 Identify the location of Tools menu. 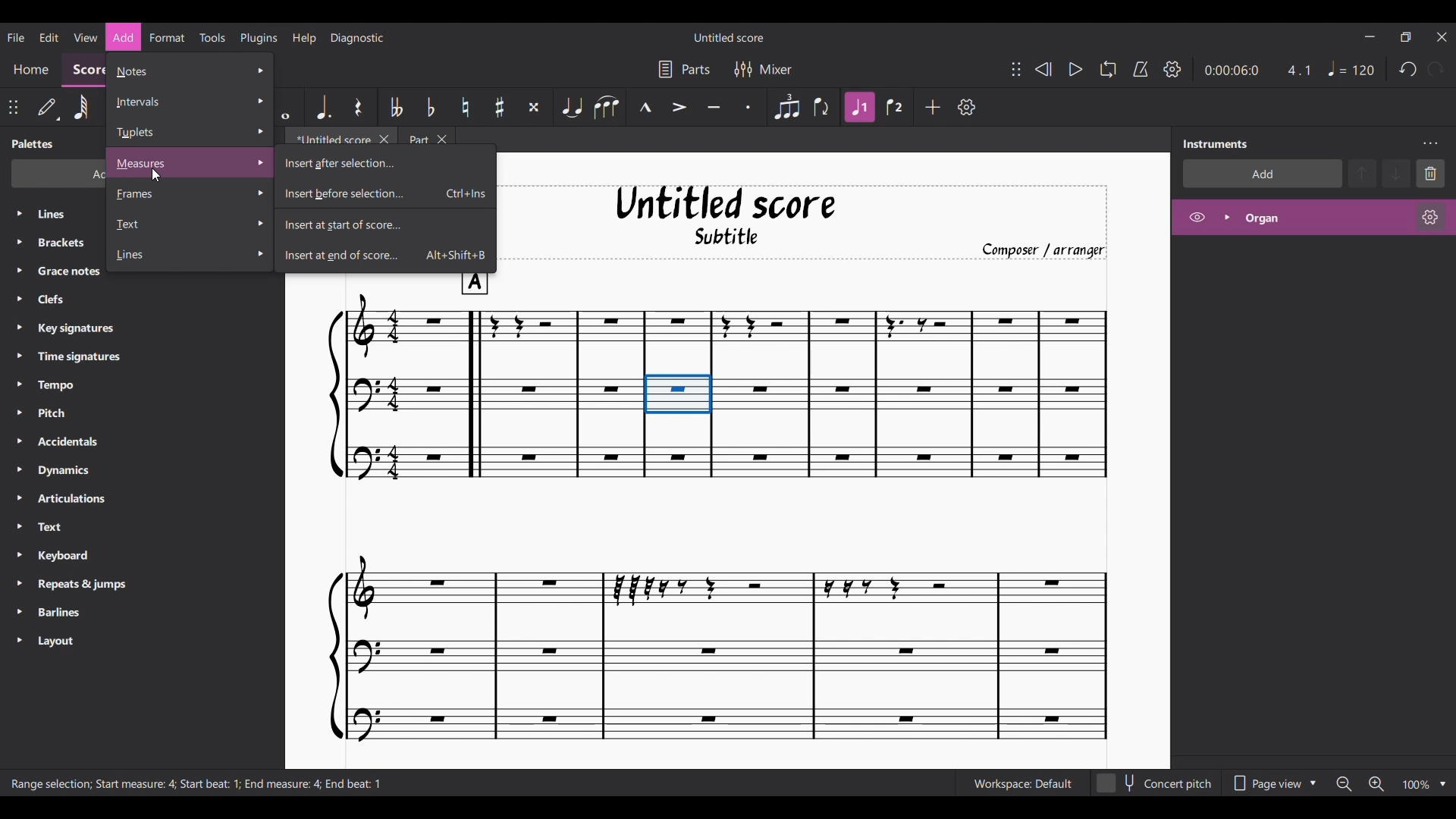
(212, 37).